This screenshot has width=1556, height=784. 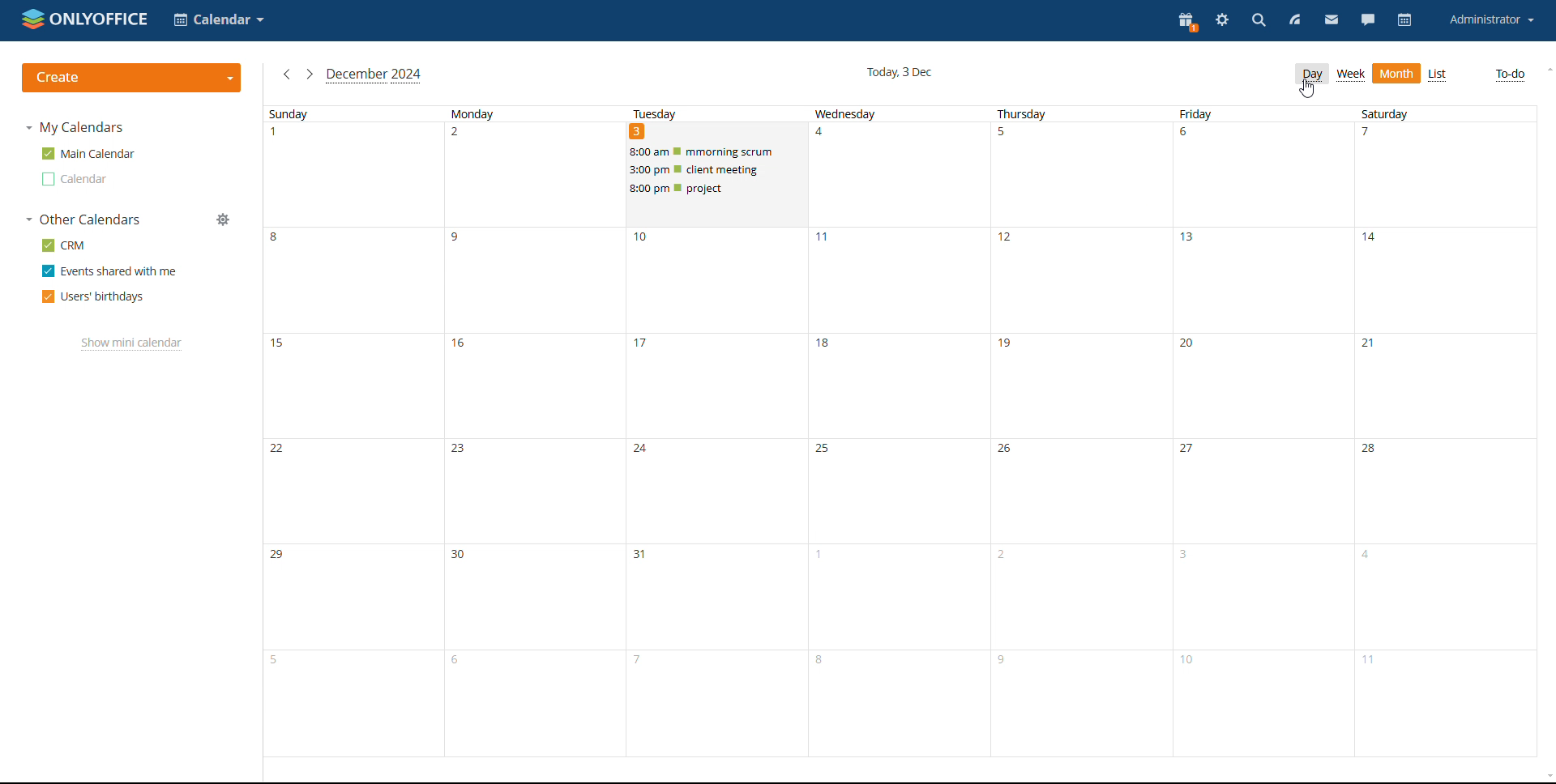 I want to click on scroll up, so click(x=1546, y=70).